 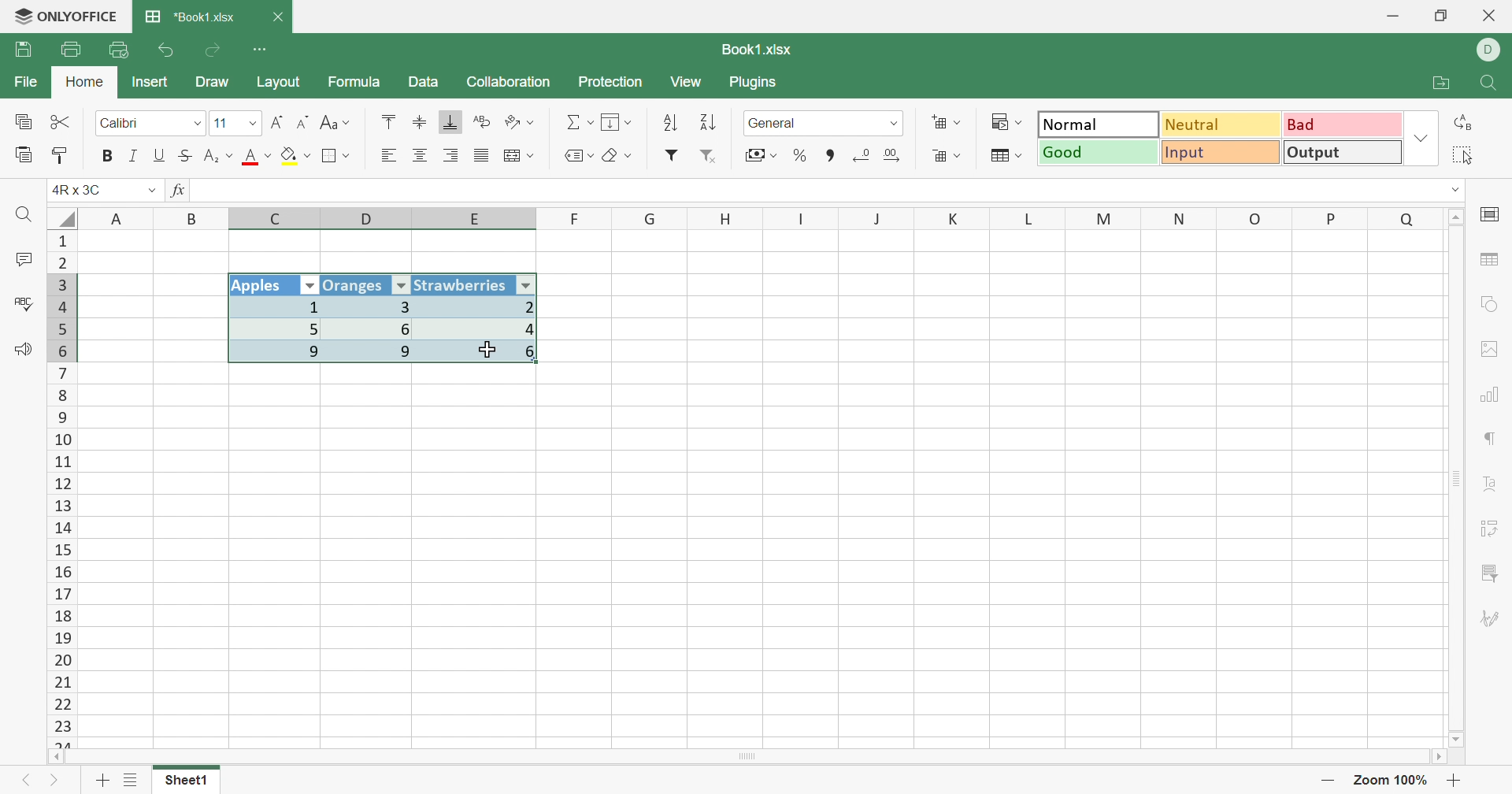 I want to click on Autofilter, so click(x=528, y=284).